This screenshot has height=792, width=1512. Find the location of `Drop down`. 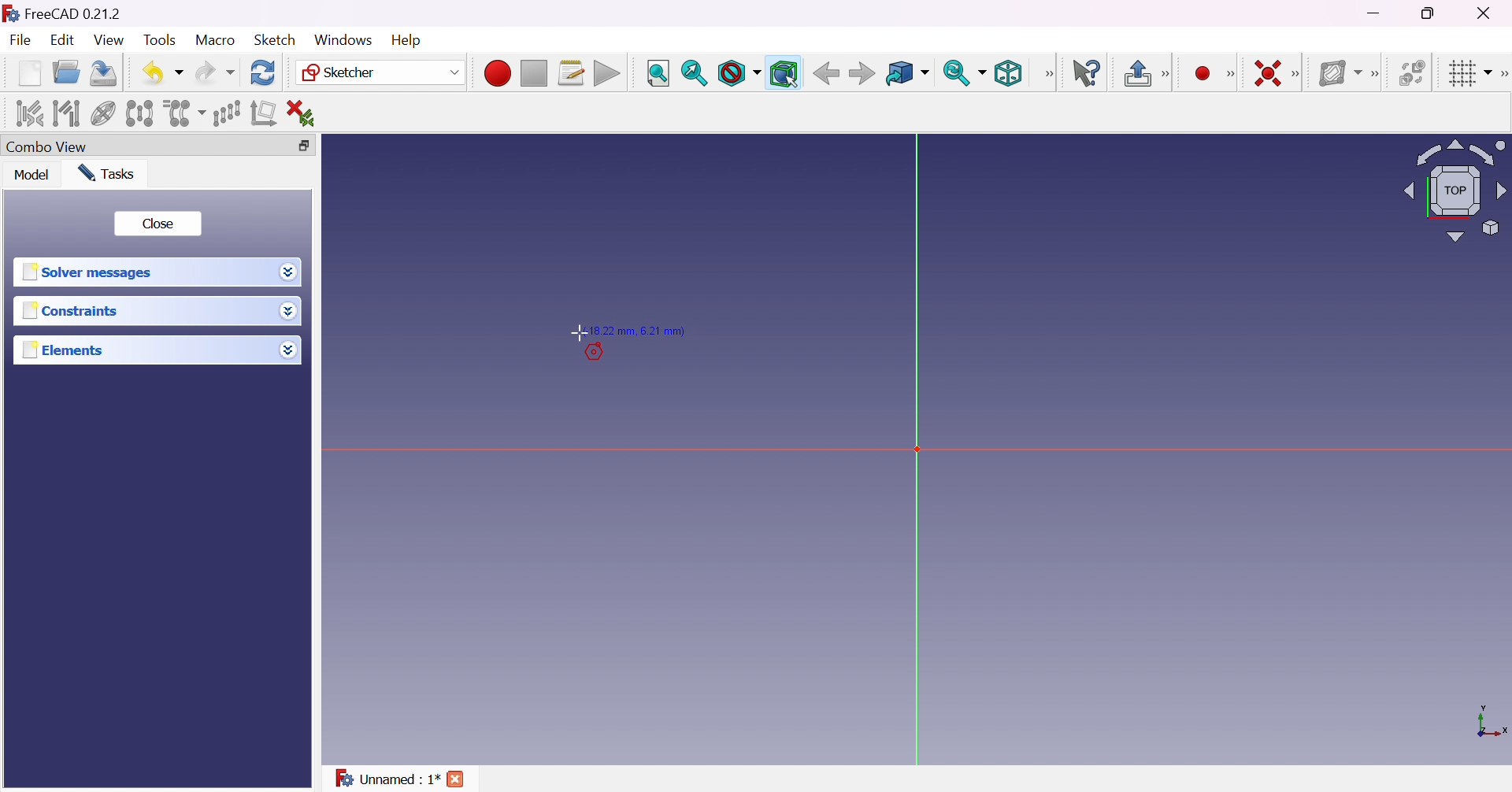

Drop down is located at coordinates (287, 346).